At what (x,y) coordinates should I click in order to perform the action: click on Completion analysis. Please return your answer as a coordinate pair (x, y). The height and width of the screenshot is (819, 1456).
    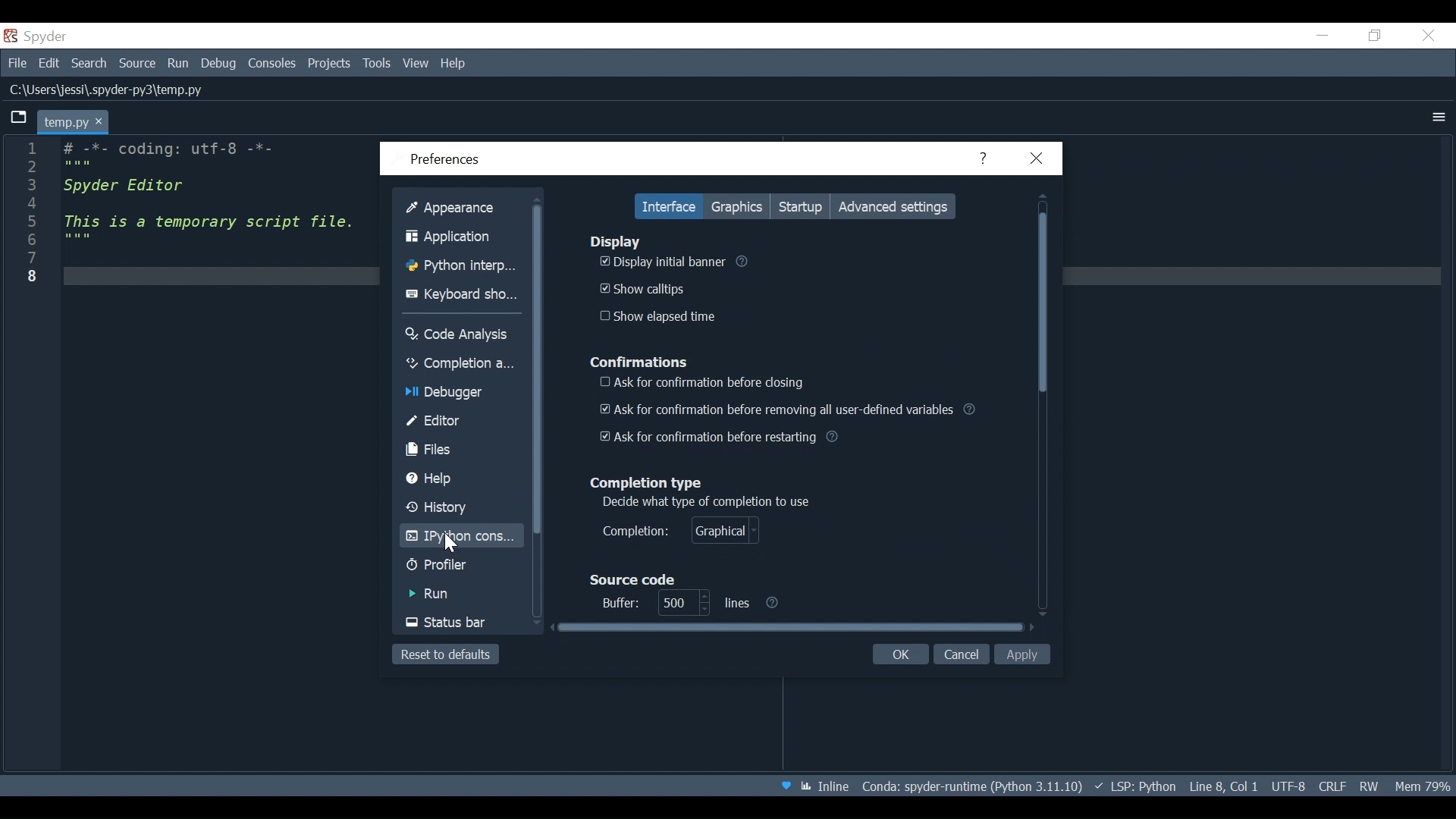
    Looking at the image, I should click on (460, 363).